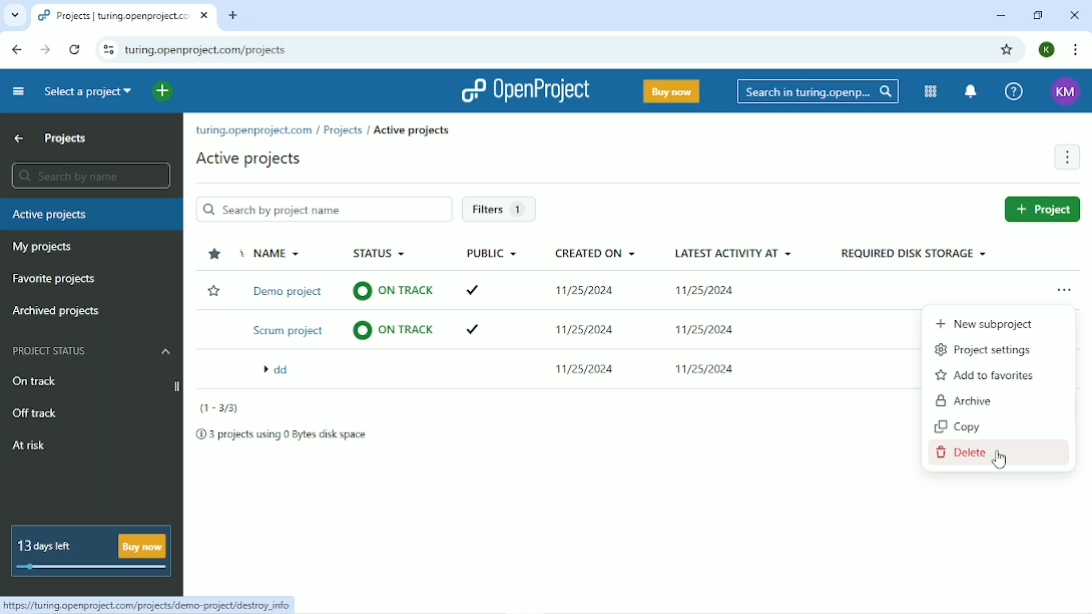 This screenshot has height=614, width=1092. Describe the element at coordinates (235, 16) in the screenshot. I see `New tab` at that location.